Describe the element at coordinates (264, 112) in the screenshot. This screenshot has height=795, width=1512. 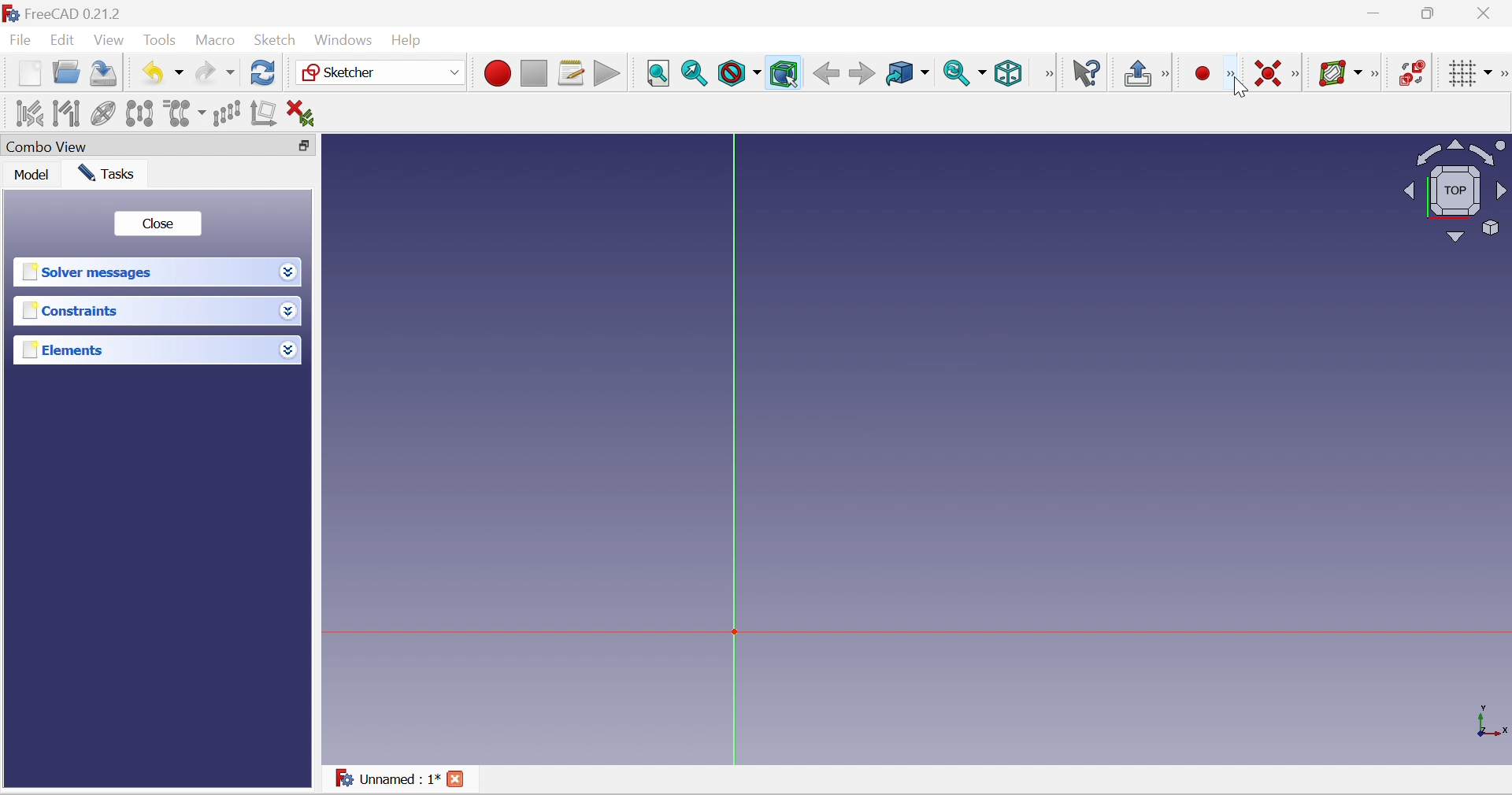
I see `Remove axes alignment` at that location.